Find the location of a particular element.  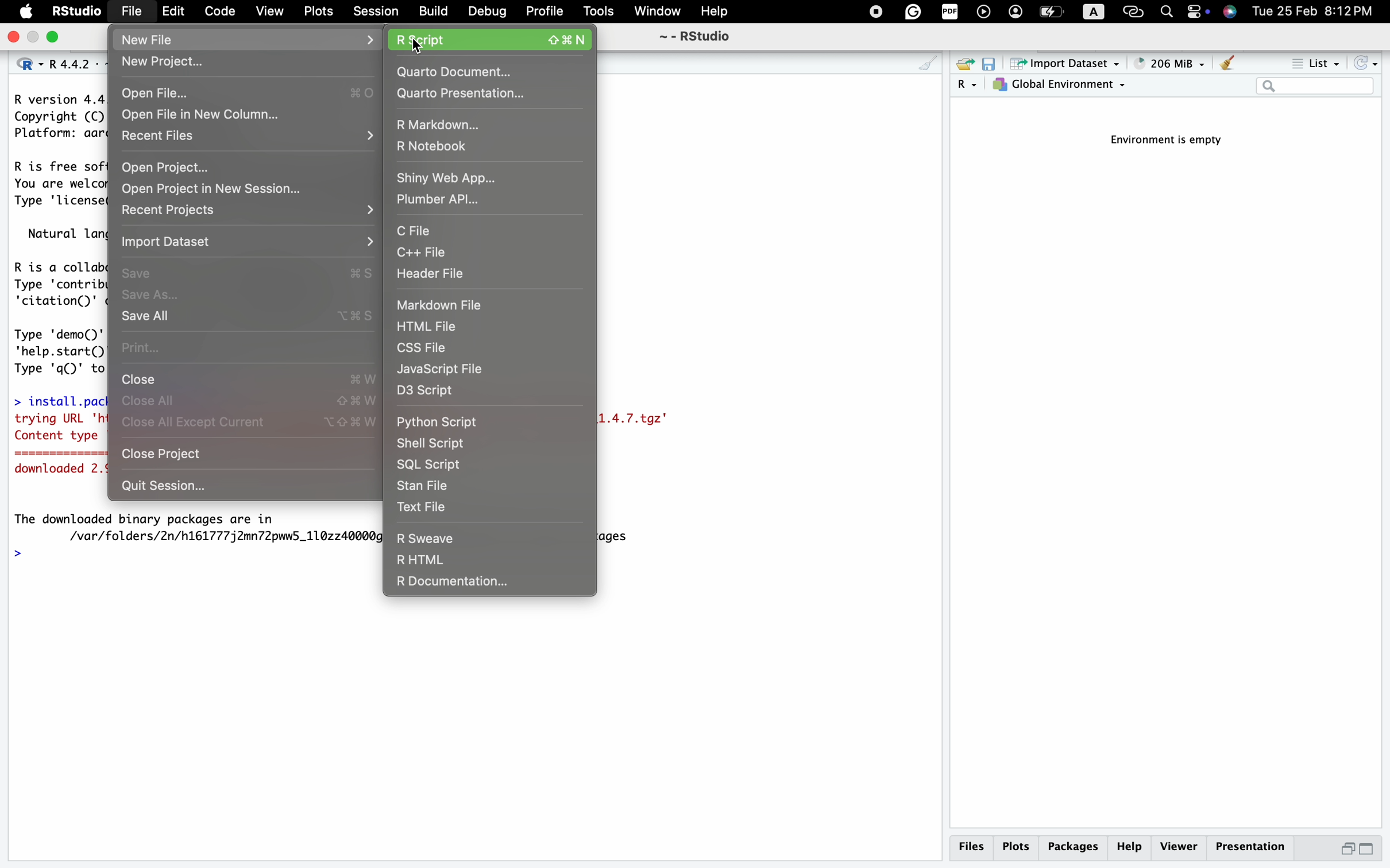

open file in new column is located at coordinates (211, 115).